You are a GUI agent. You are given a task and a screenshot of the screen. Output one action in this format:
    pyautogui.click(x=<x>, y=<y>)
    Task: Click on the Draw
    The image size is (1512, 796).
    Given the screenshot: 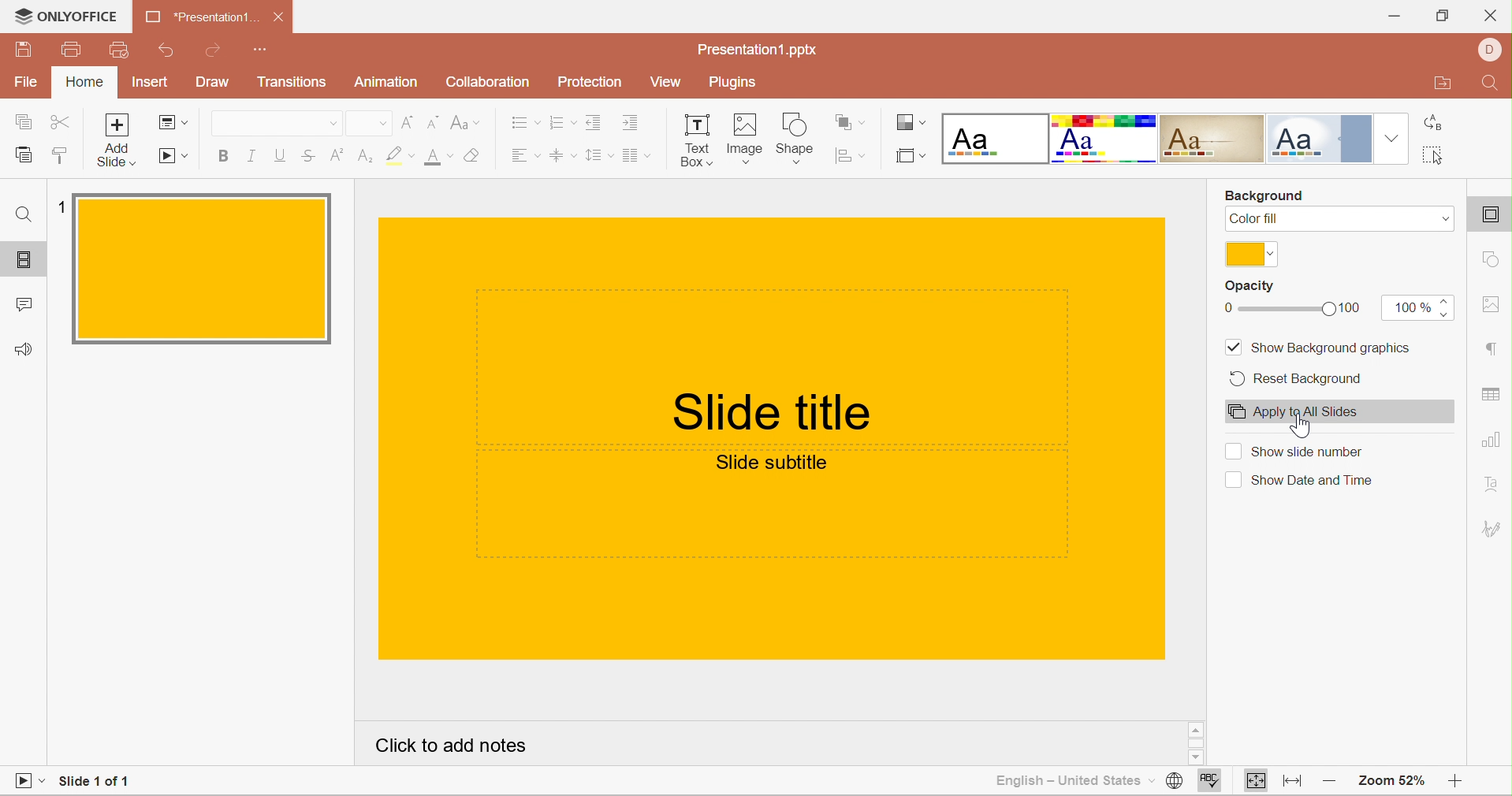 What is the action you would take?
    pyautogui.click(x=215, y=83)
    